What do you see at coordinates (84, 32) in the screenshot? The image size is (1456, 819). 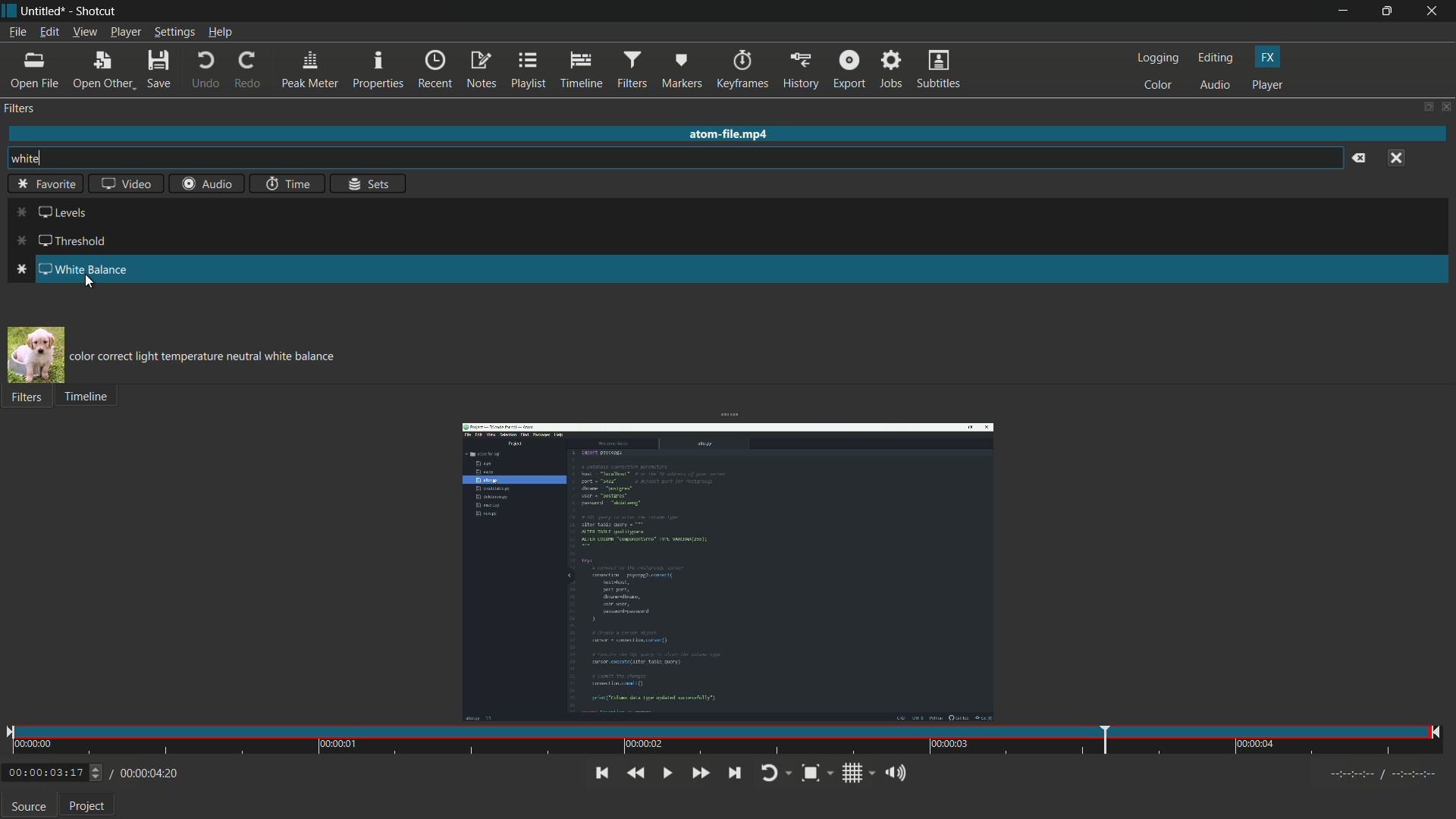 I see `view menu` at bounding box center [84, 32].